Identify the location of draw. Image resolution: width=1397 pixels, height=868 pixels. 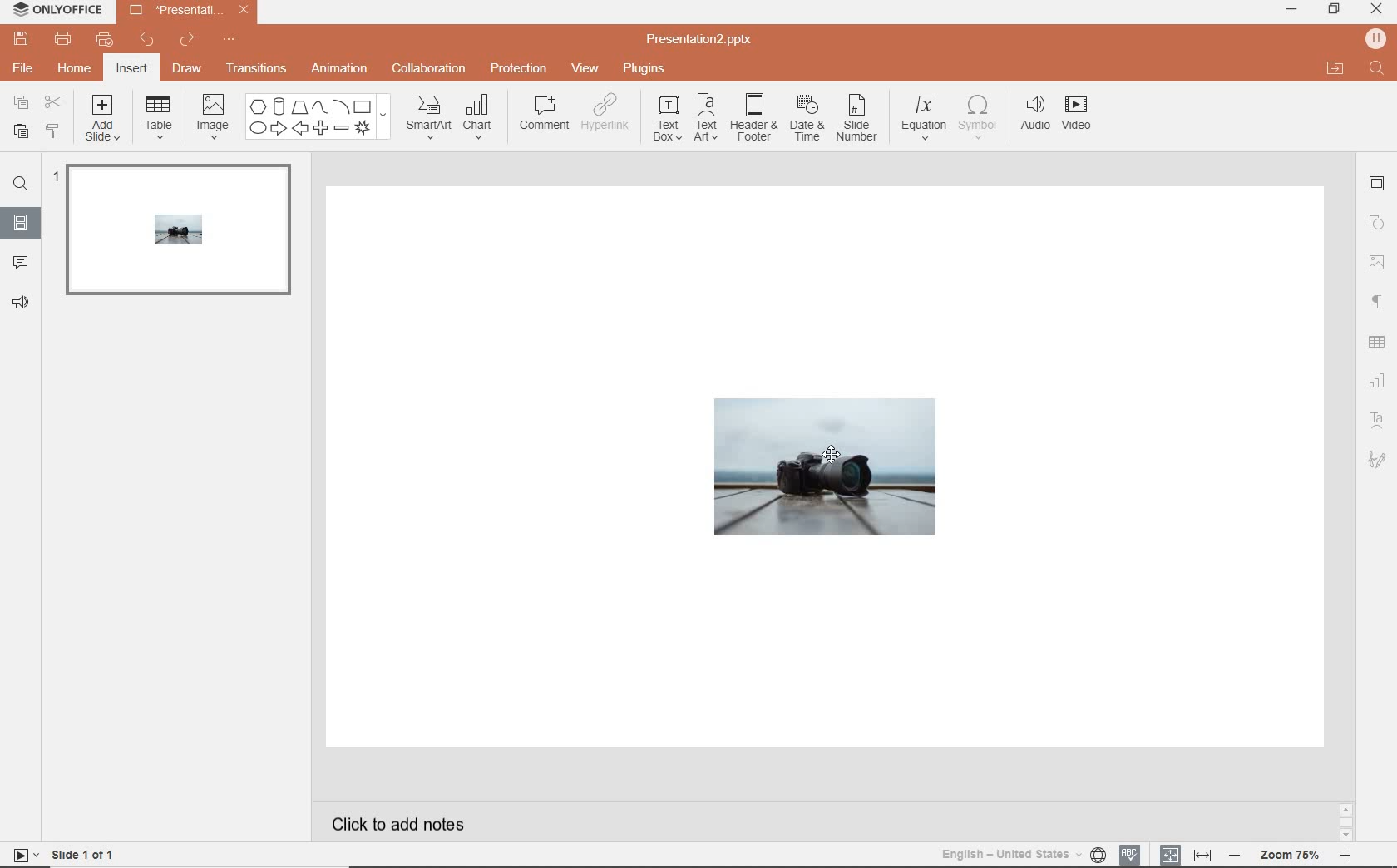
(188, 70).